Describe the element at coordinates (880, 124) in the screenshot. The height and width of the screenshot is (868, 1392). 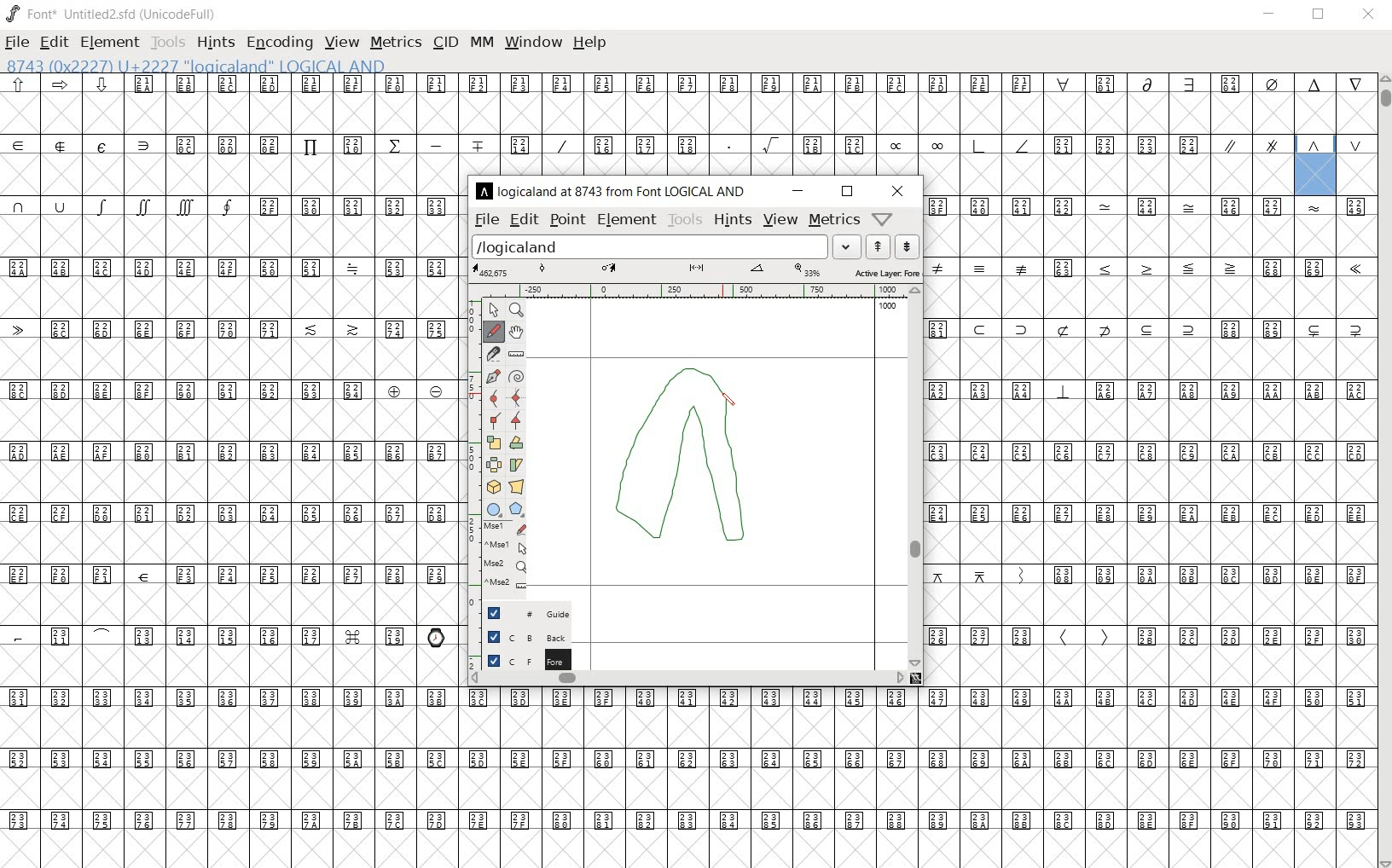
I see `glyph characters` at that location.